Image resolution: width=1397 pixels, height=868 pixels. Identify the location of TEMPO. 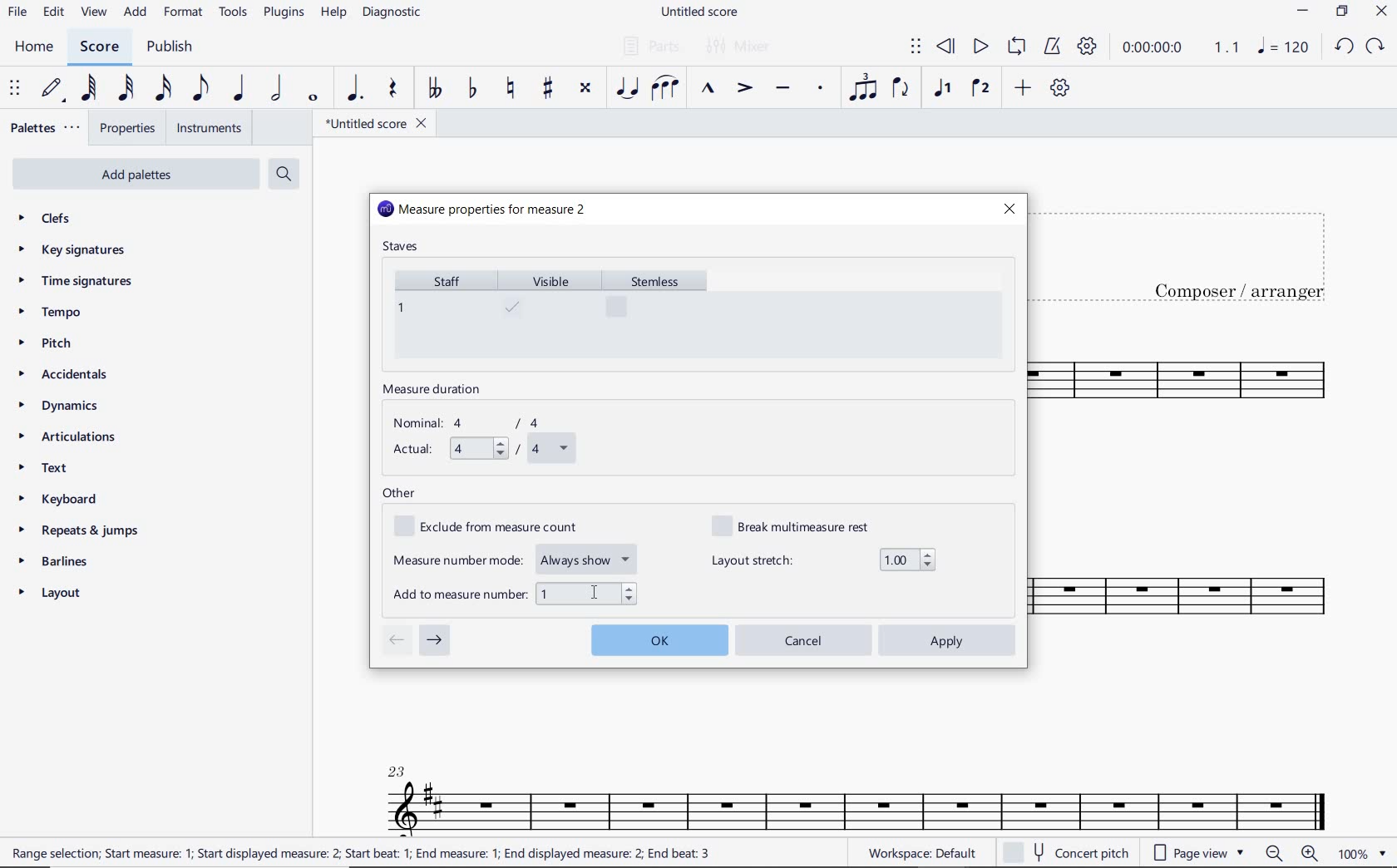
(49, 313).